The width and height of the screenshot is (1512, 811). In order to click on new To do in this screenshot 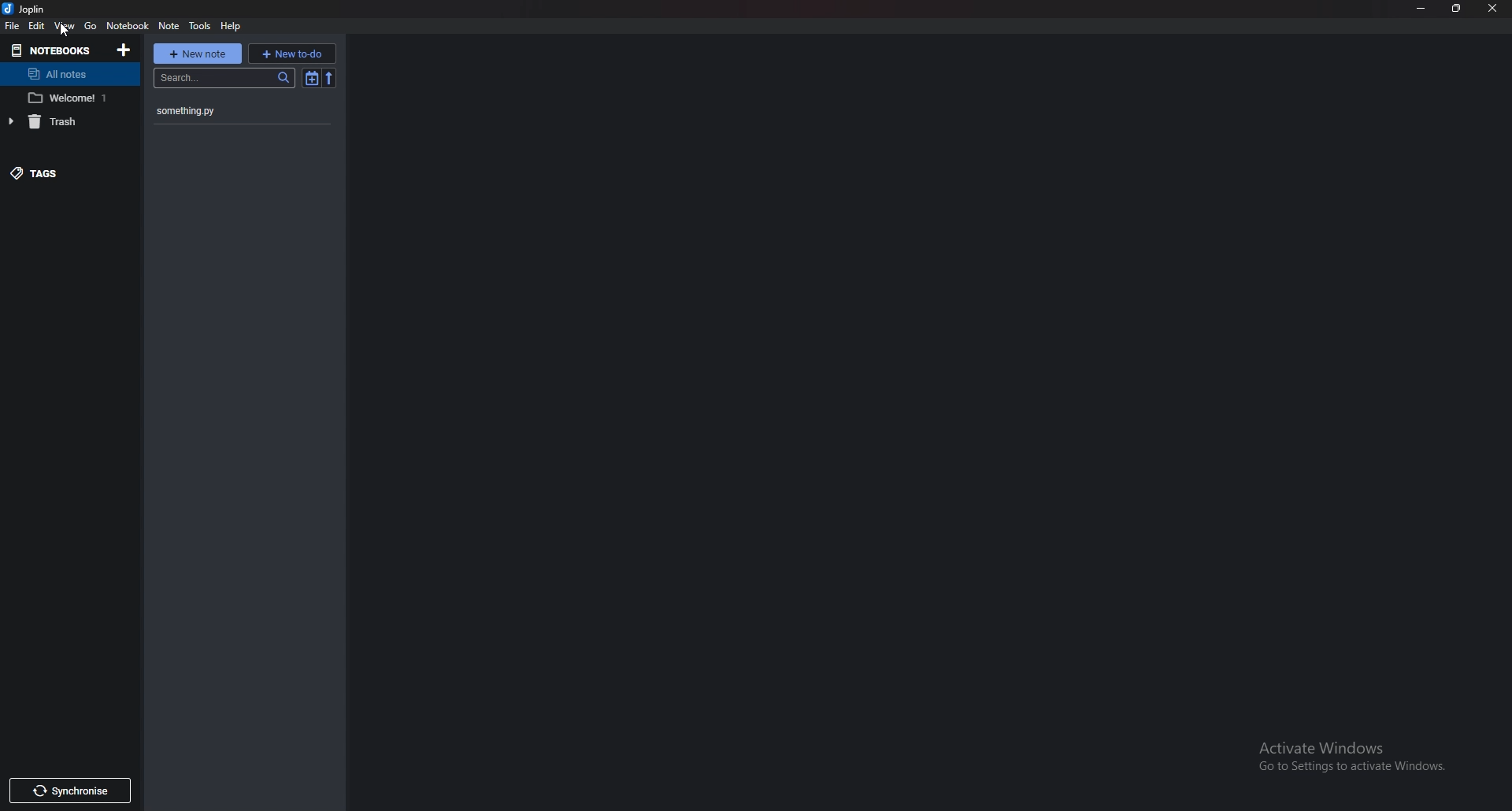, I will do `click(290, 54)`.